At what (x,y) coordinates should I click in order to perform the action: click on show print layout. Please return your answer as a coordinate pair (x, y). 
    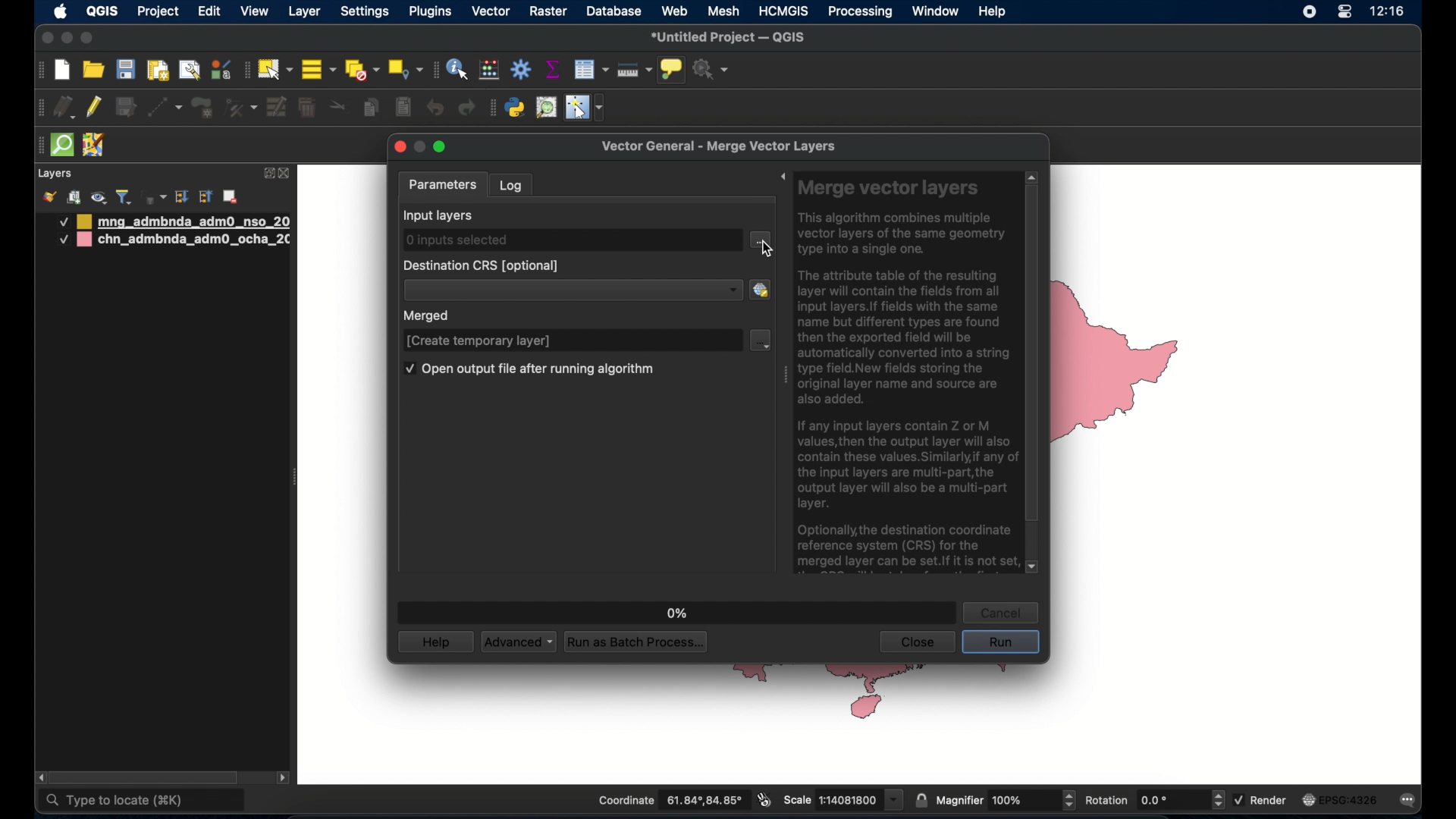
    Looking at the image, I should click on (156, 70).